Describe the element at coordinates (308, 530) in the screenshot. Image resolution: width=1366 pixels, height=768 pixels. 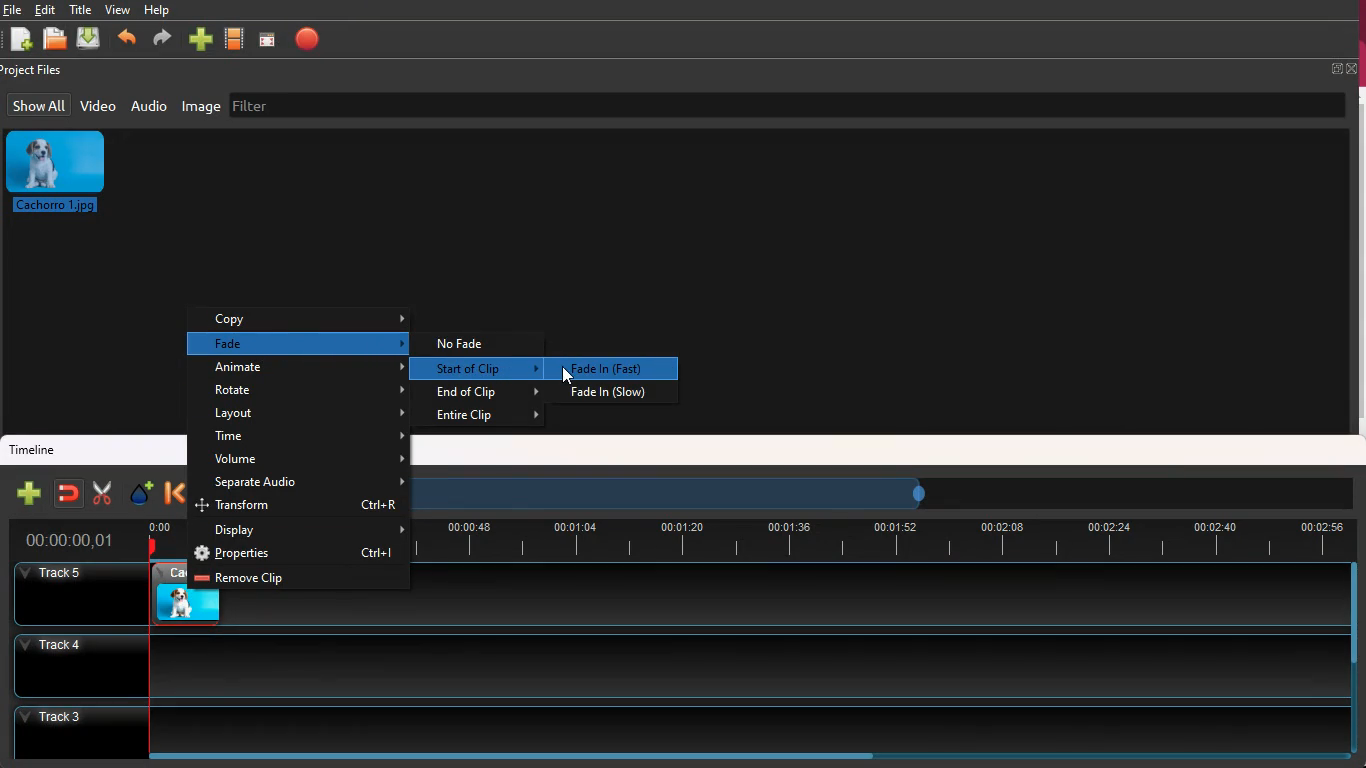
I see `display` at that location.